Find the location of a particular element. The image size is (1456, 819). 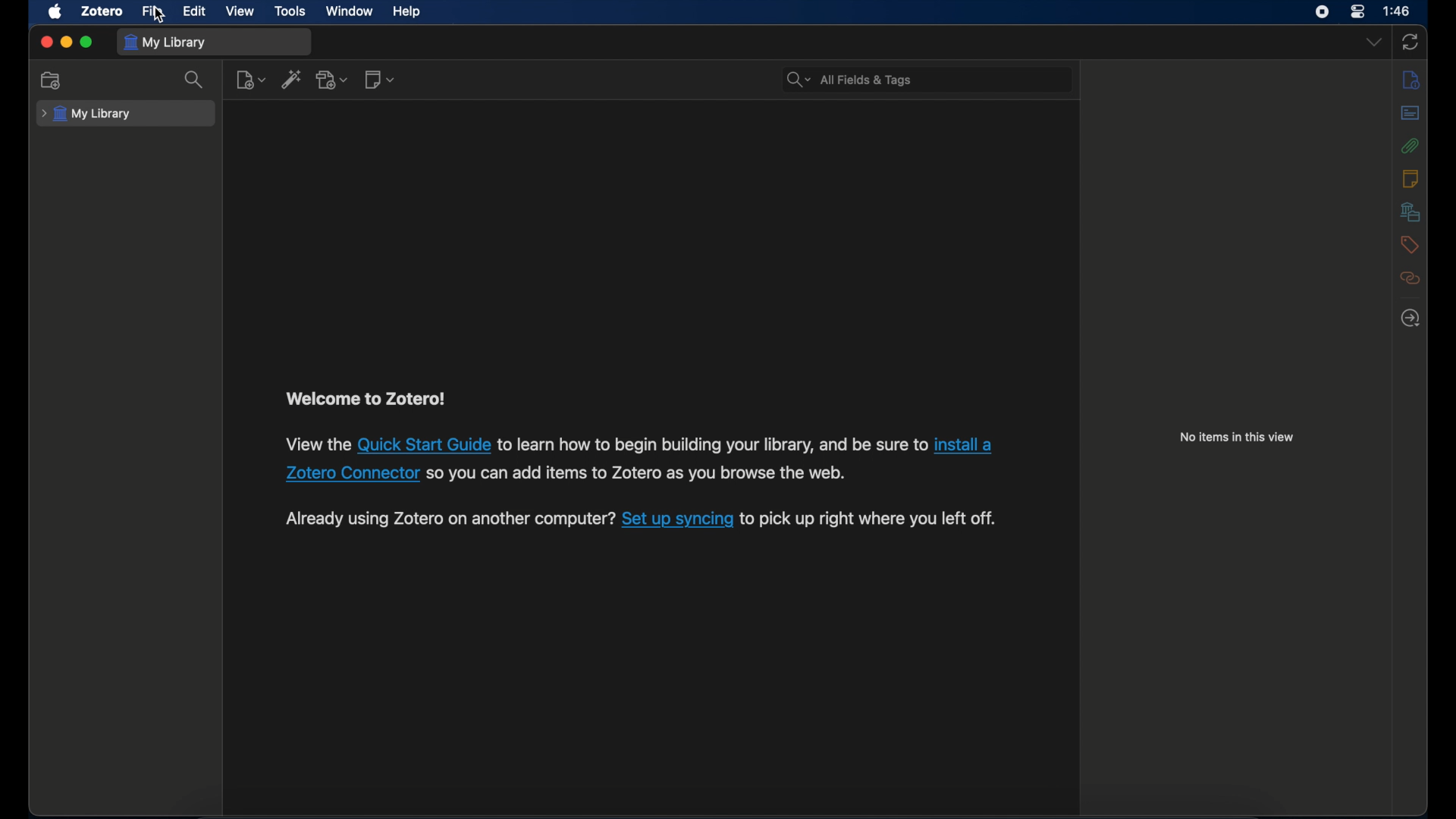

help is located at coordinates (406, 11).